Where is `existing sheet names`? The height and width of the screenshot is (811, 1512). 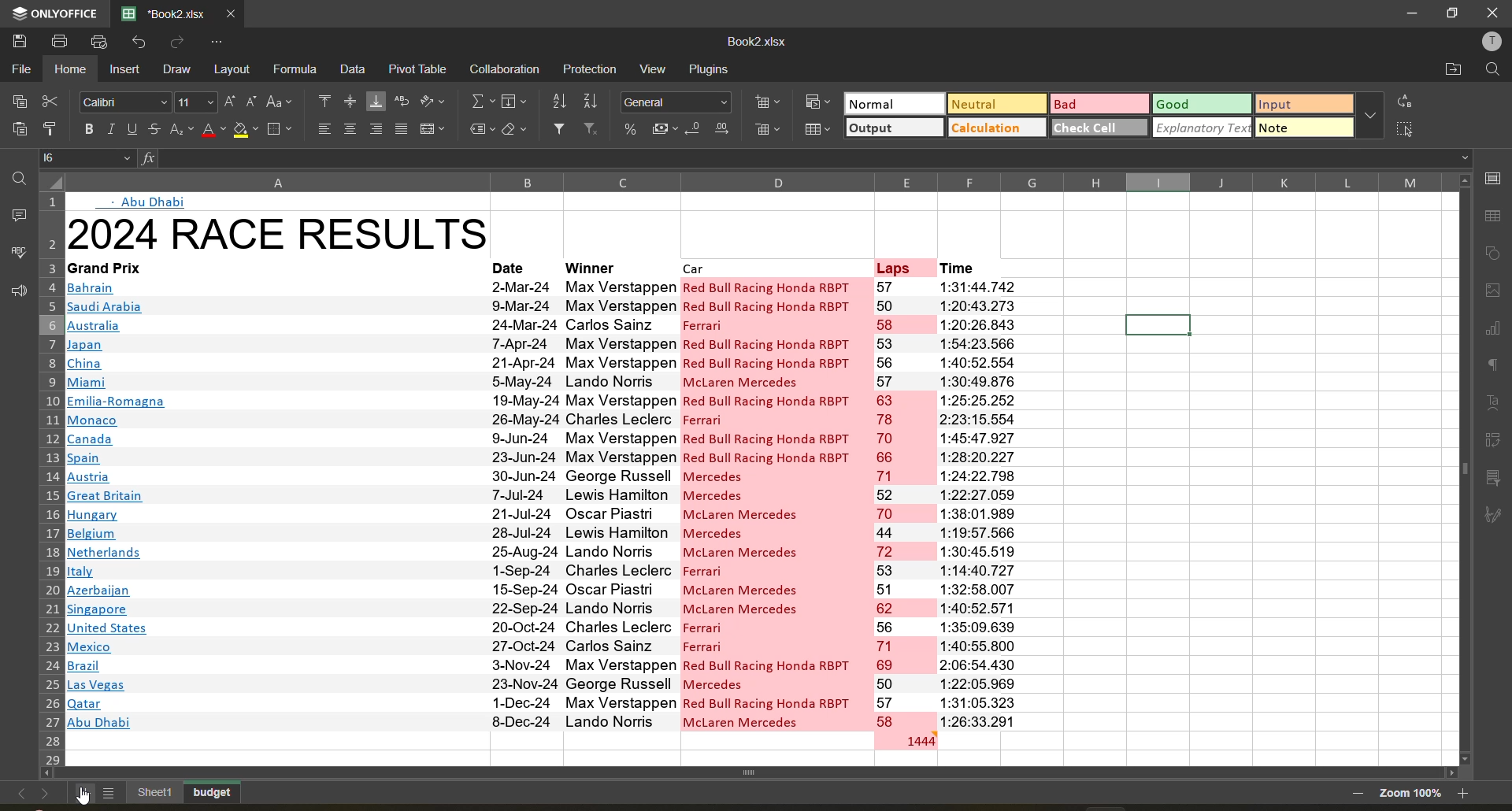
existing sheet names is located at coordinates (154, 791).